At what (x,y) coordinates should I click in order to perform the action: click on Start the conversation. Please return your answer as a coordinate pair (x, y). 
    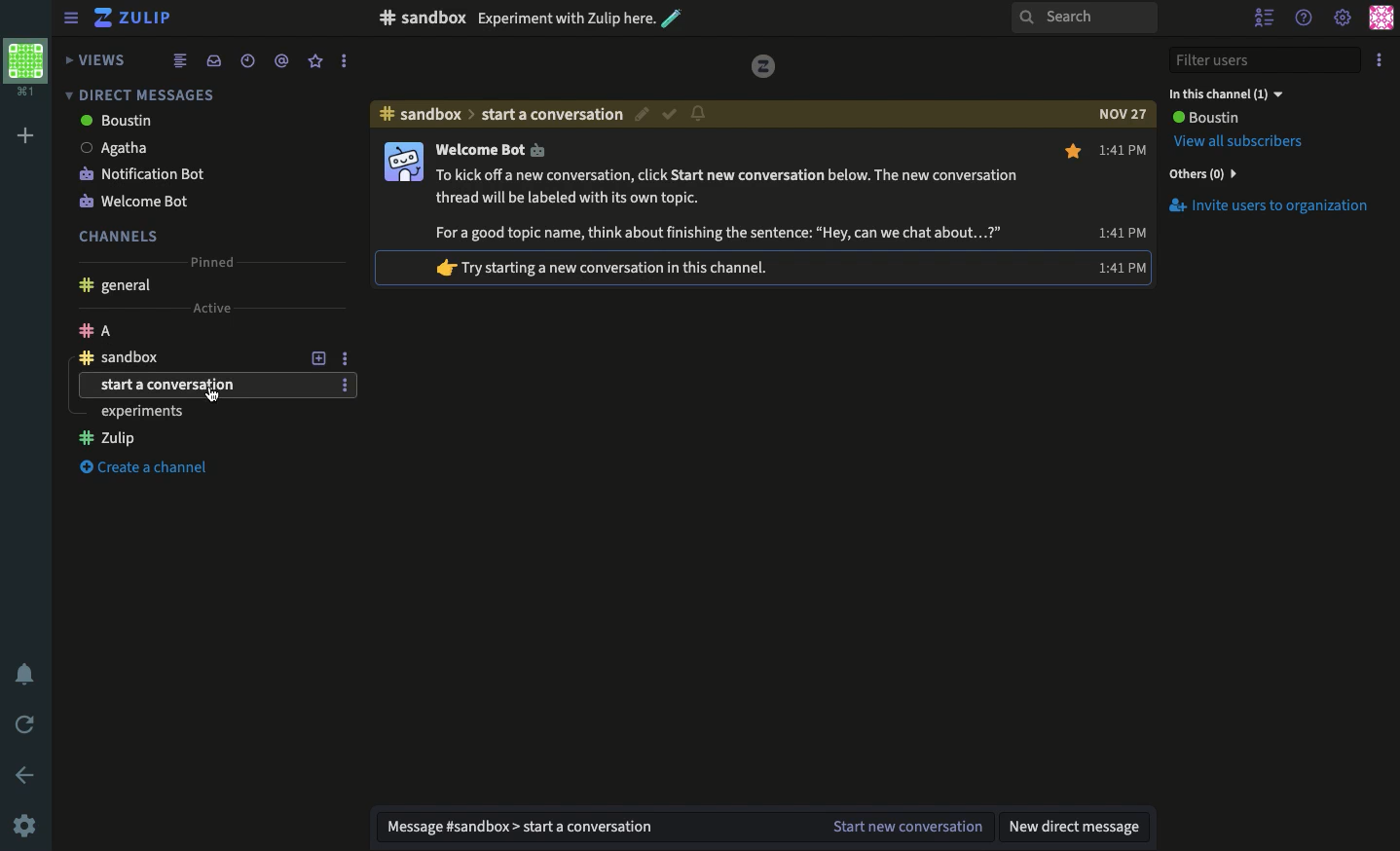
    Looking at the image, I should click on (904, 828).